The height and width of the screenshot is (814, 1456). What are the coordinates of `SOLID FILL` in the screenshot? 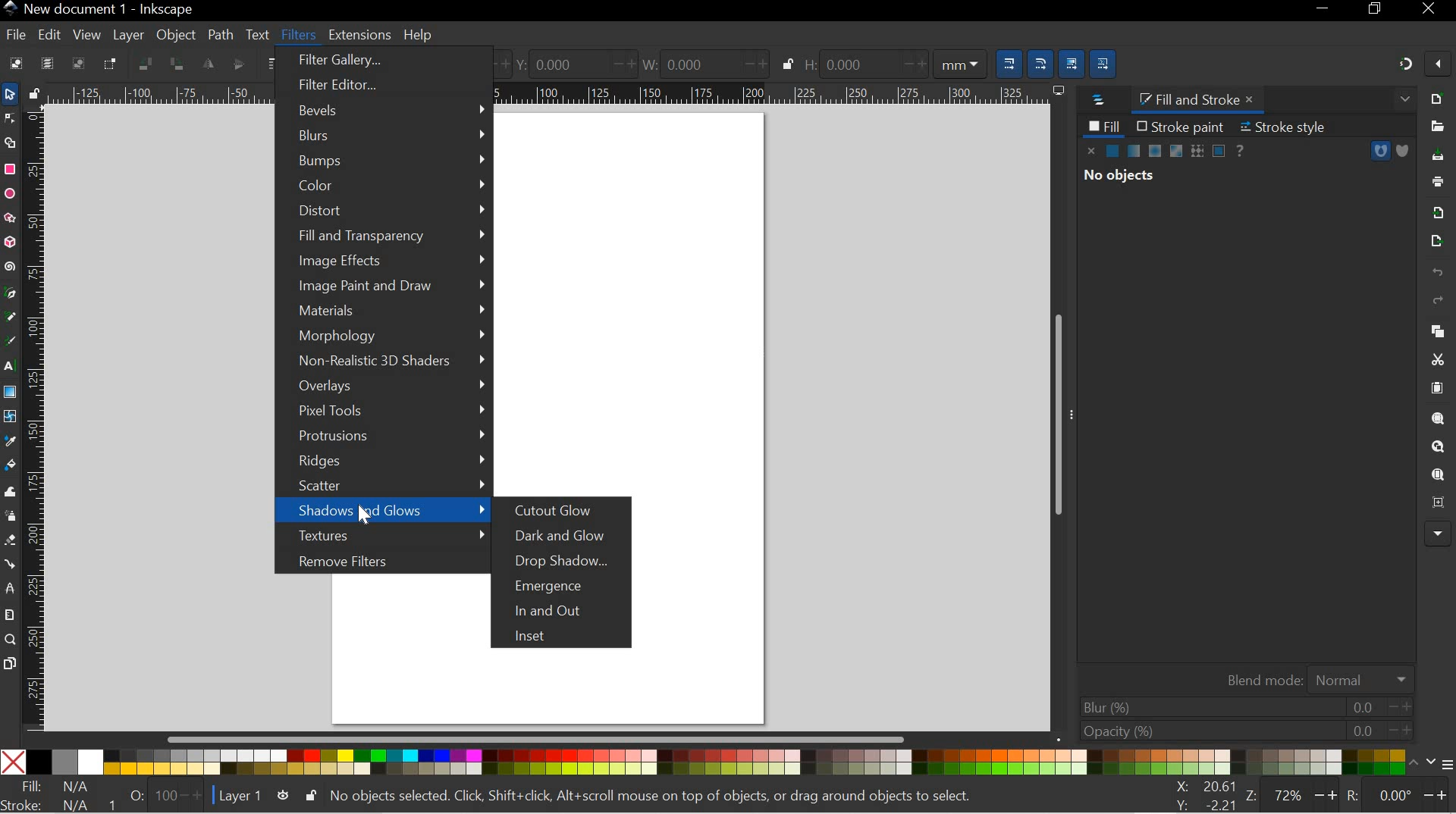 It's located at (1401, 151).